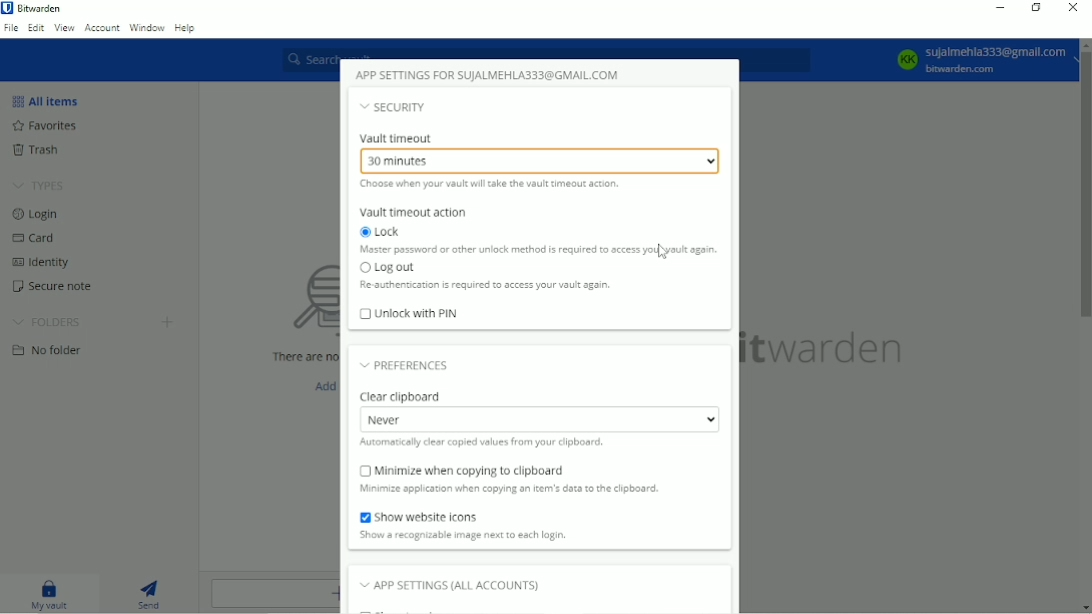 The height and width of the screenshot is (614, 1092). I want to click on Create folder, so click(169, 322).